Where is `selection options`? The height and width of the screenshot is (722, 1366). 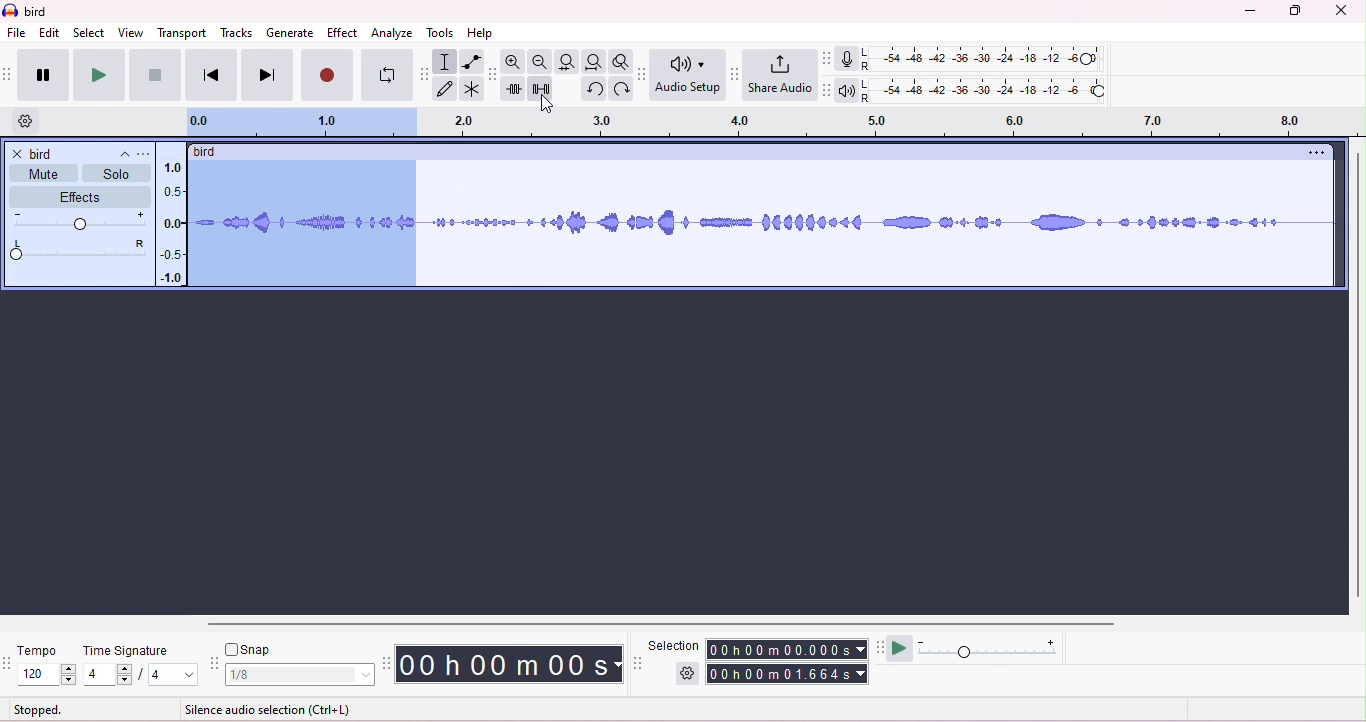 selection options is located at coordinates (685, 675).